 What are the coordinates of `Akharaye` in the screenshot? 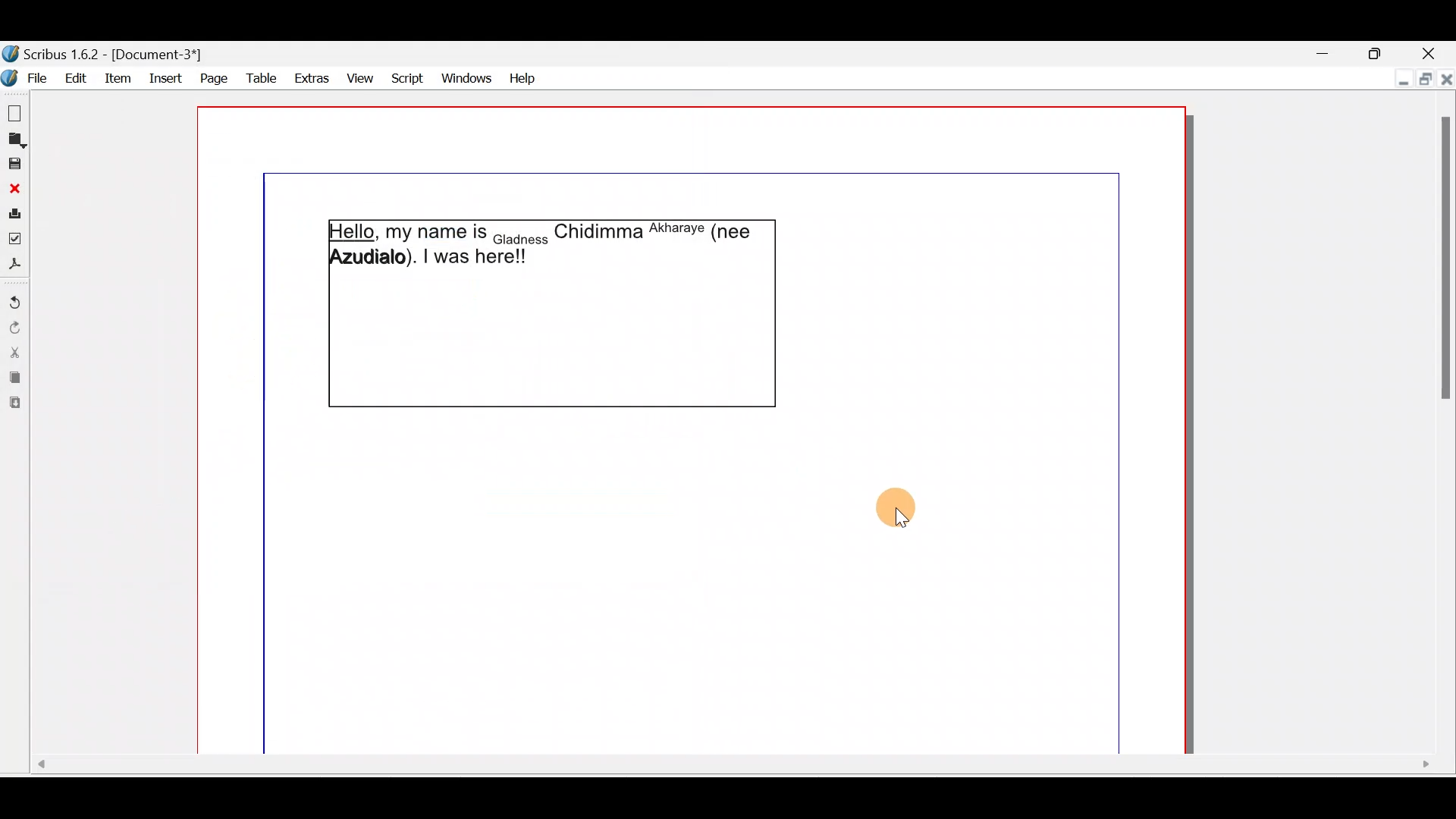 It's located at (675, 230).